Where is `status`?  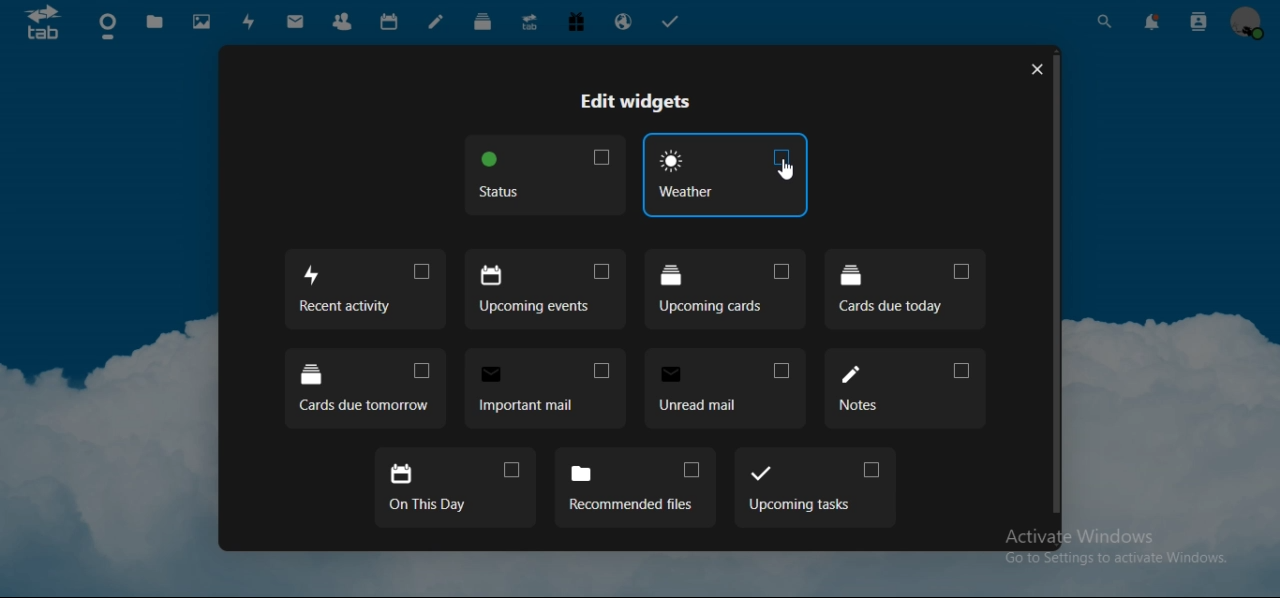 status is located at coordinates (543, 175).